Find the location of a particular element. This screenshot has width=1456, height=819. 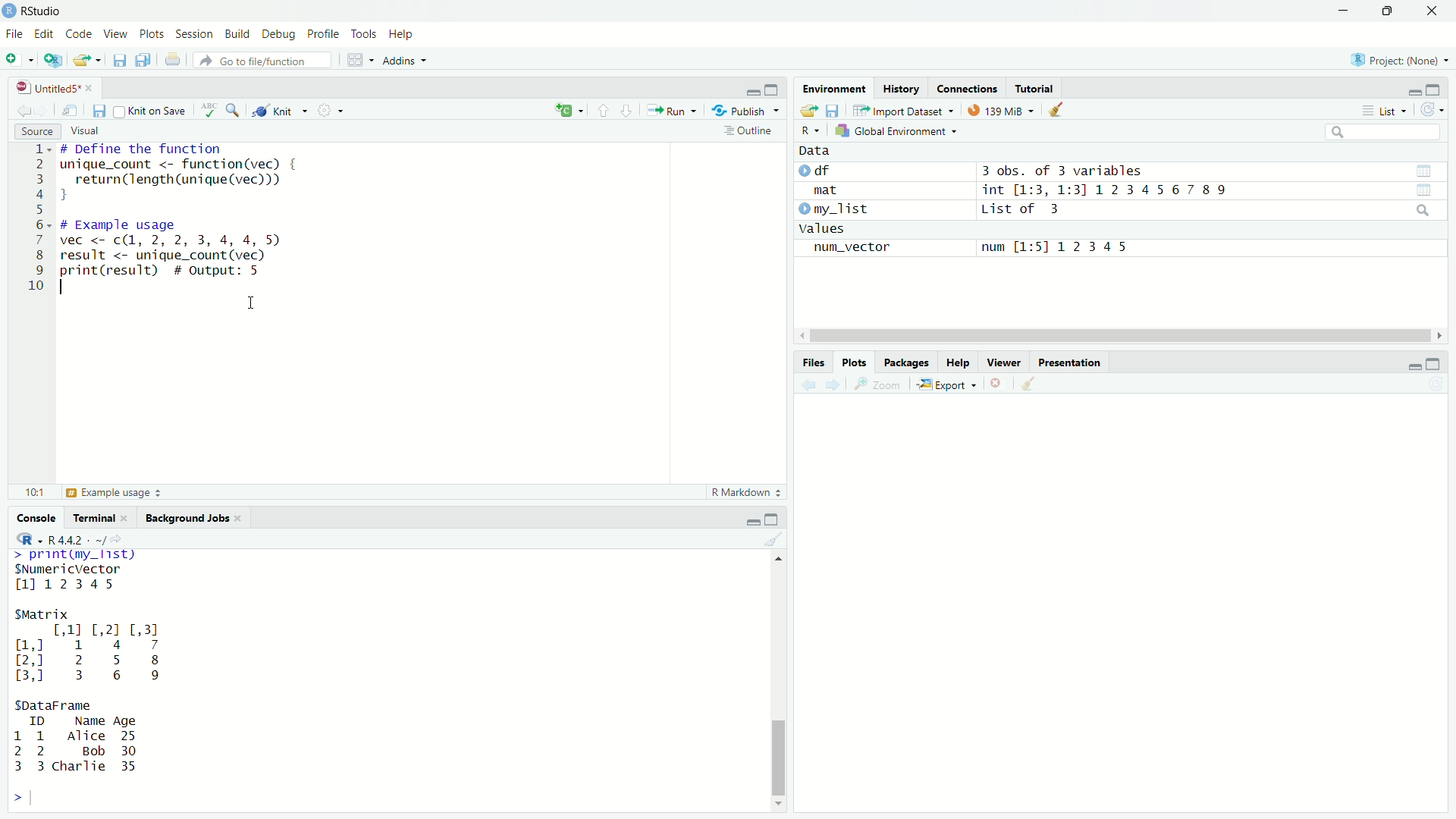

R dropdown is located at coordinates (30, 539).